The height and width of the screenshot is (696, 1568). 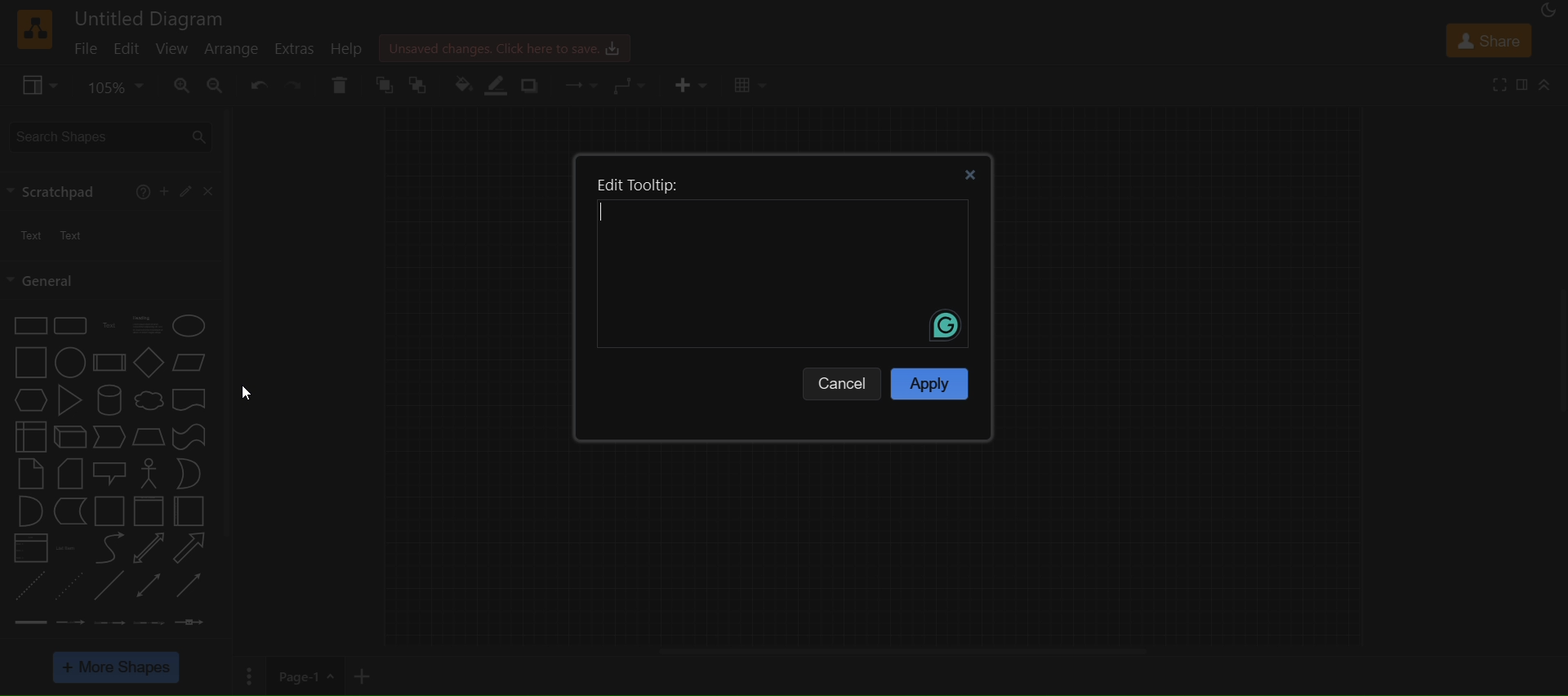 I want to click on cursor, so click(x=251, y=395).